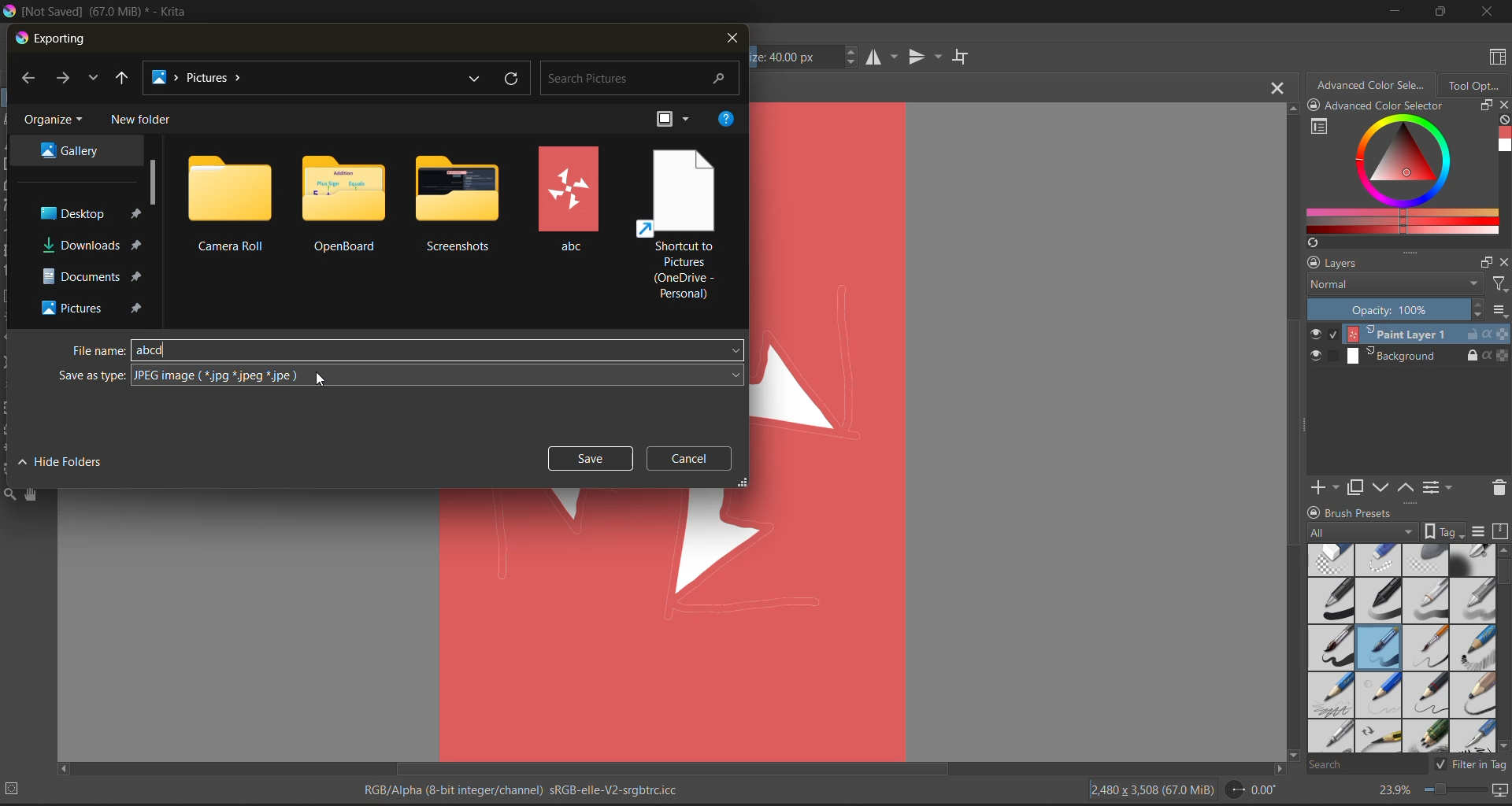 This screenshot has height=806, width=1512. What do you see at coordinates (1405, 106) in the screenshot?
I see `Advanced color selector` at bounding box center [1405, 106].